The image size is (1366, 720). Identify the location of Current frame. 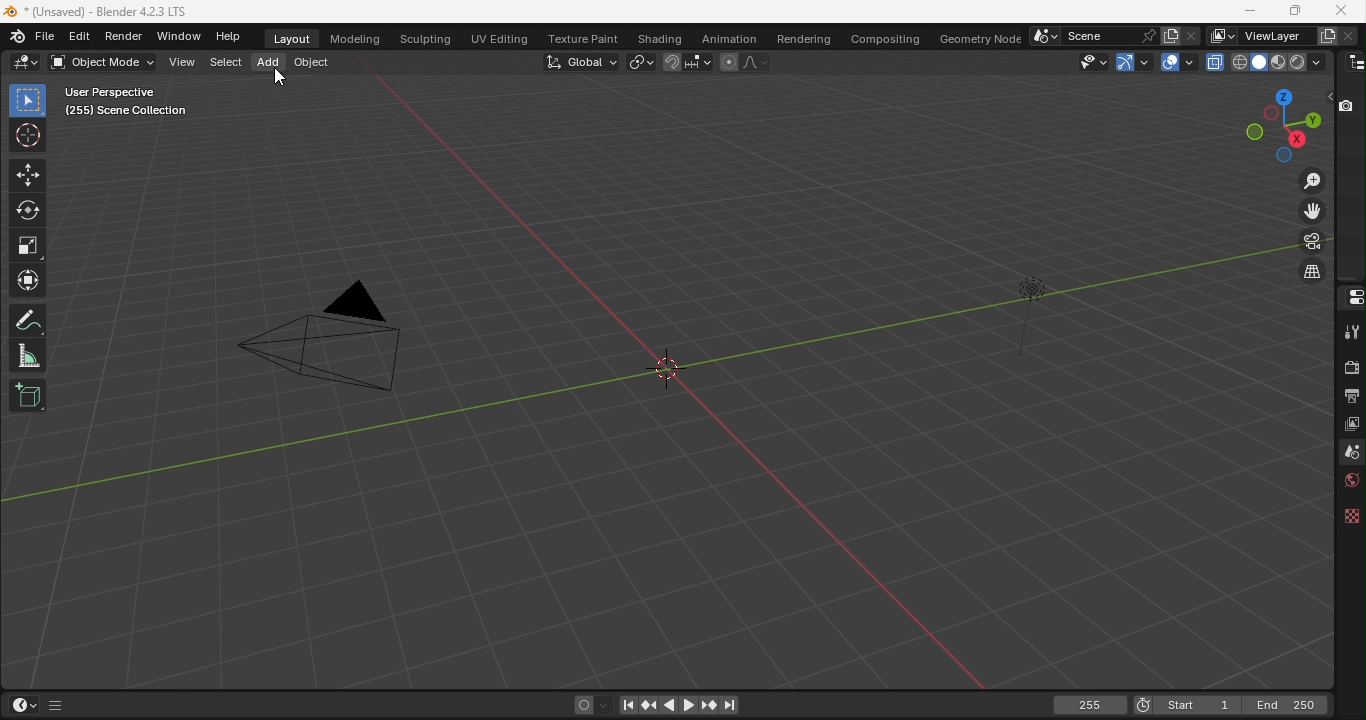
(1092, 705).